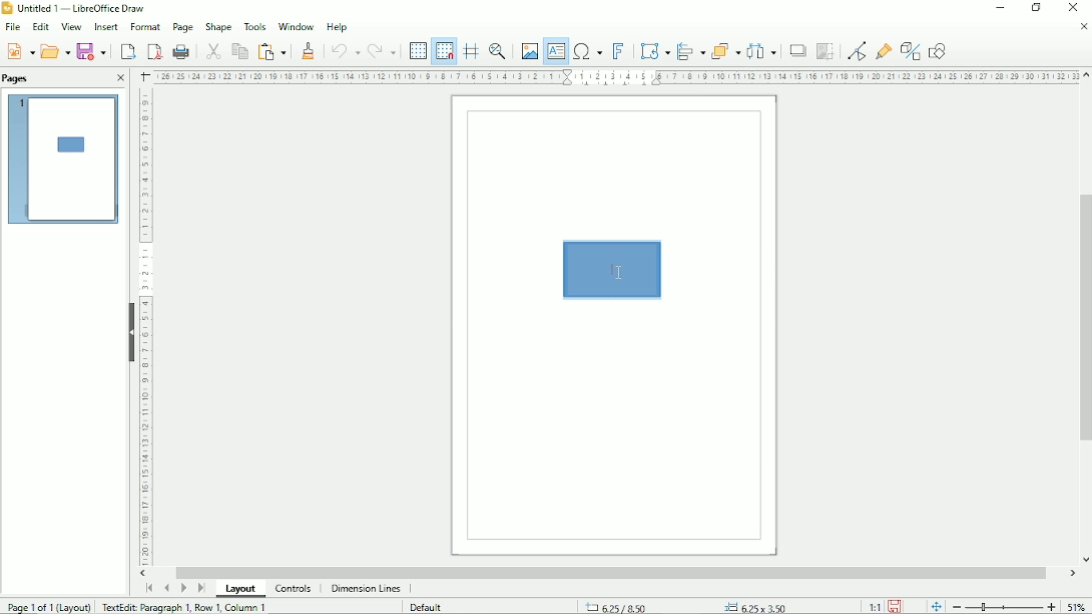 This screenshot has height=614, width=1092. I want to click on Save, so click(895, 607).